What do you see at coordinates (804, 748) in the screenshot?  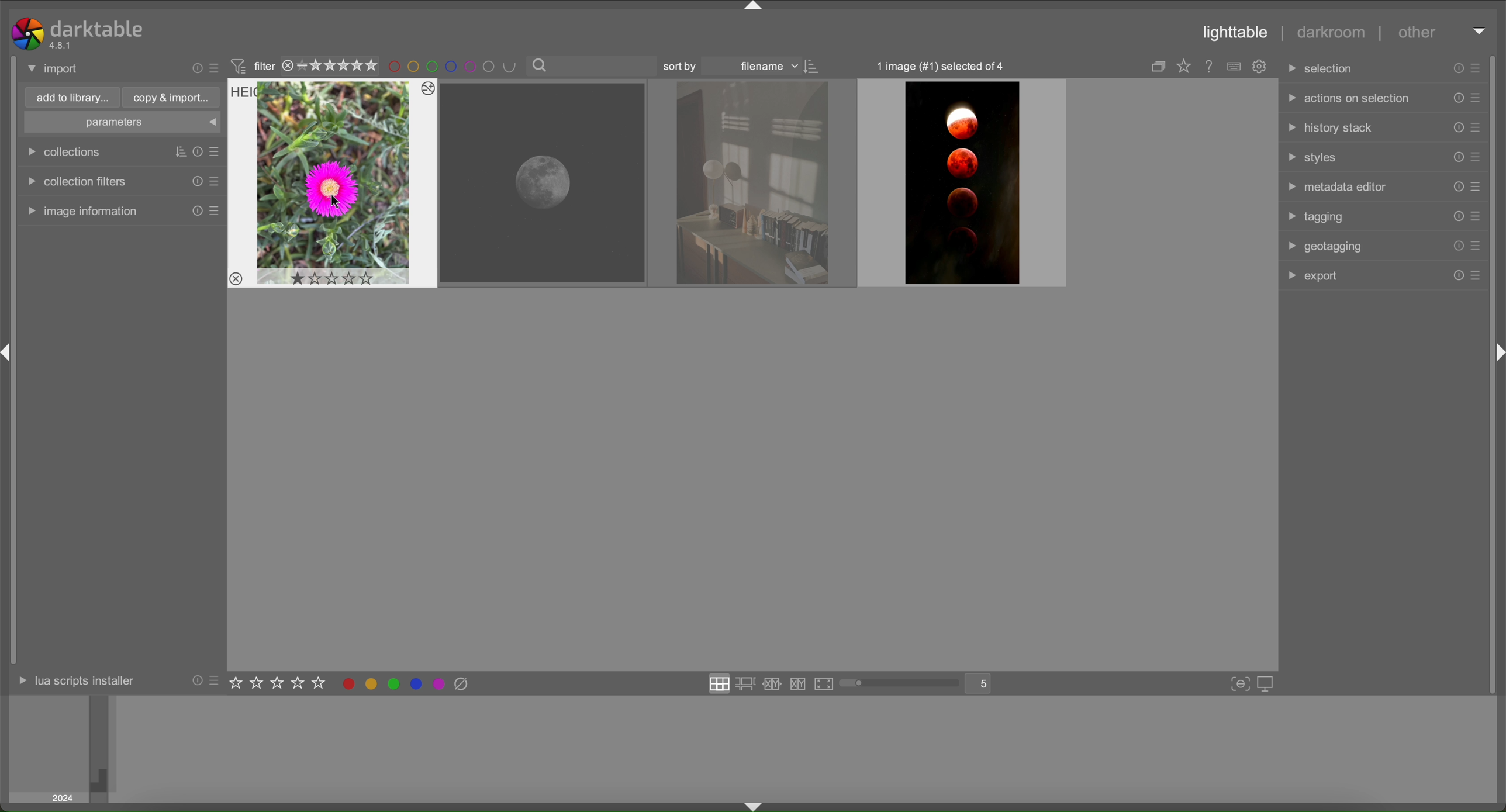 I see `preview` at bounding box center [804, 748].